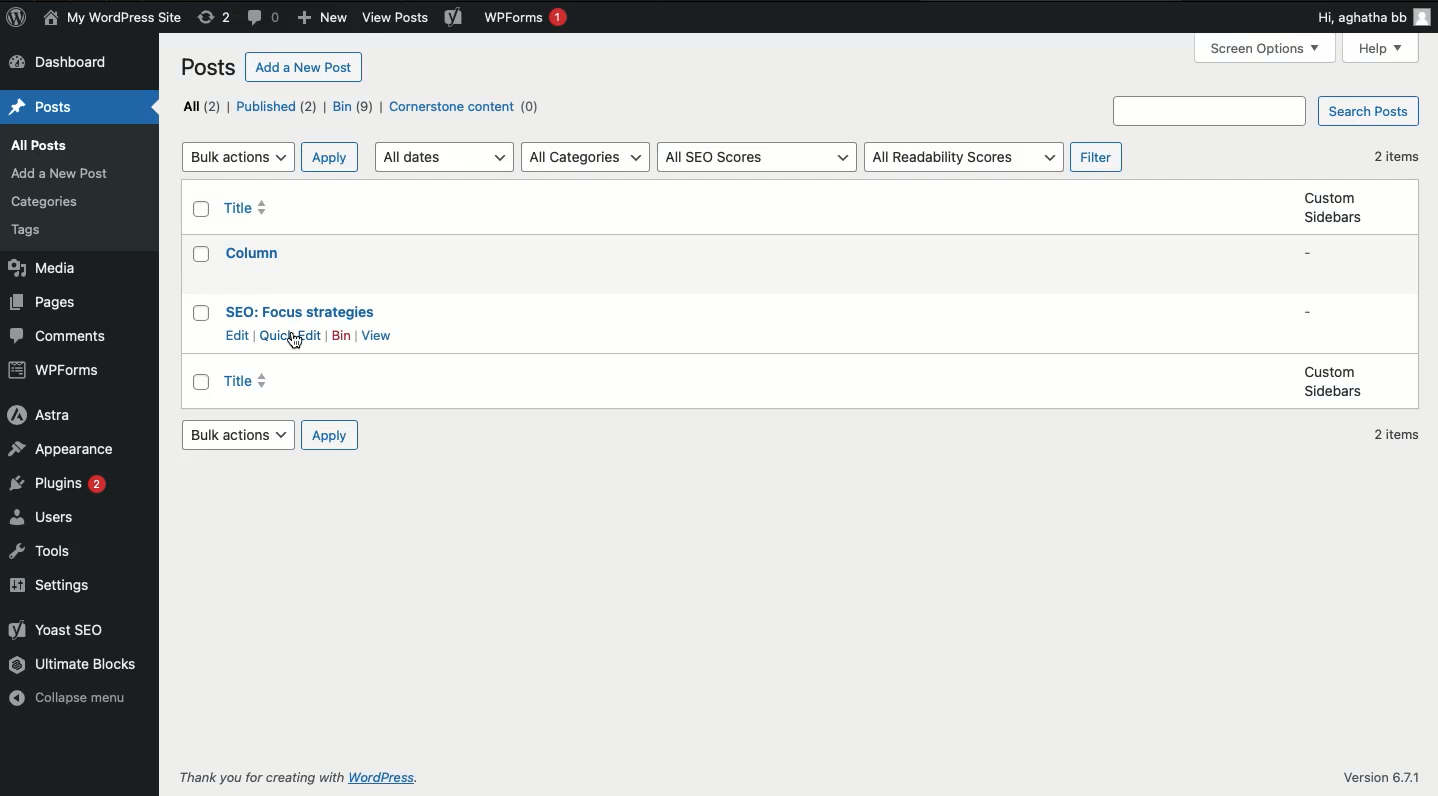 The width and height of the screenshot is (1438, 796). What do you see at coordinates (255, 383) in the screenshot?
I see `Title` at bounding box center [255, 383].